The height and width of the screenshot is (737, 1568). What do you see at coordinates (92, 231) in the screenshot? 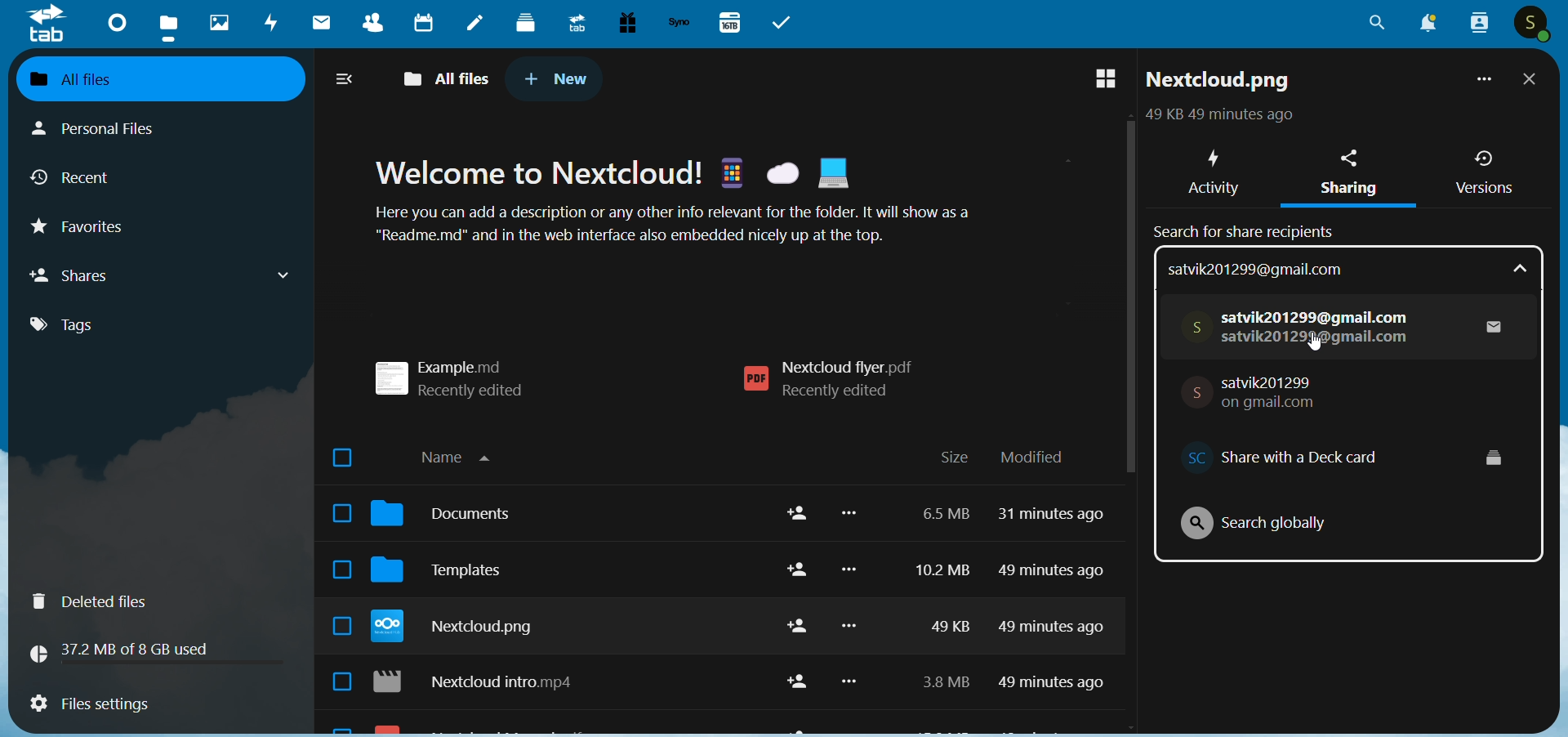
I see `favorites` at bounding box center [92, 231].